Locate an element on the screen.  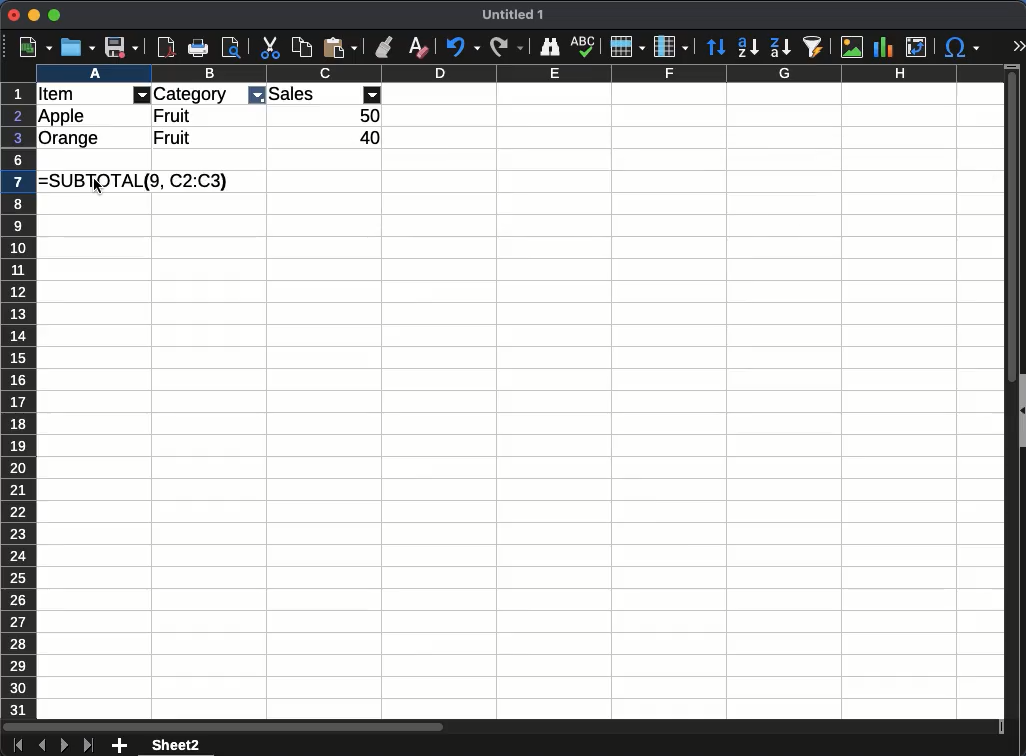
print is located at coordinates (231, 46).